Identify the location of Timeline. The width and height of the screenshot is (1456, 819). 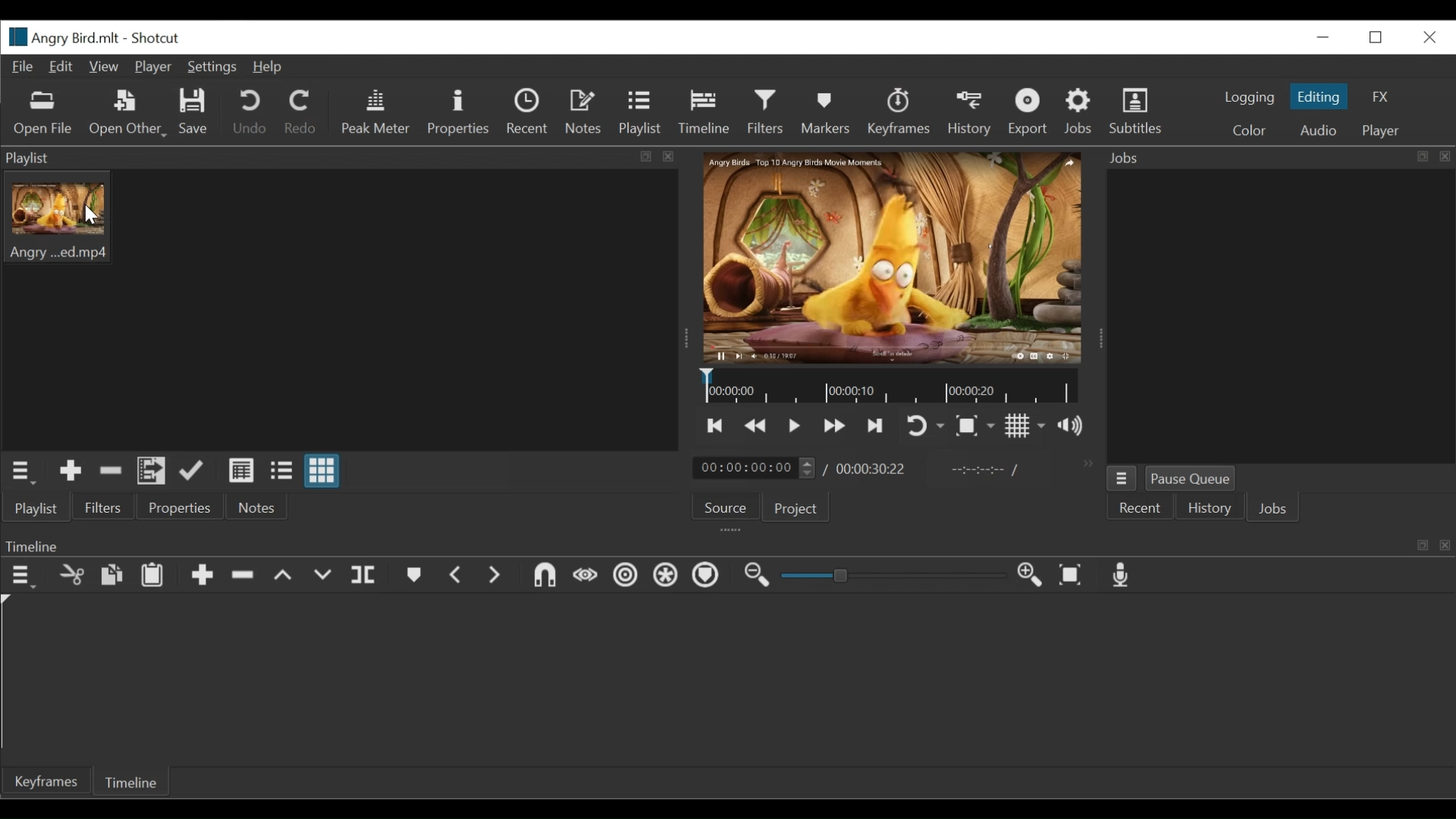
(726, 544).